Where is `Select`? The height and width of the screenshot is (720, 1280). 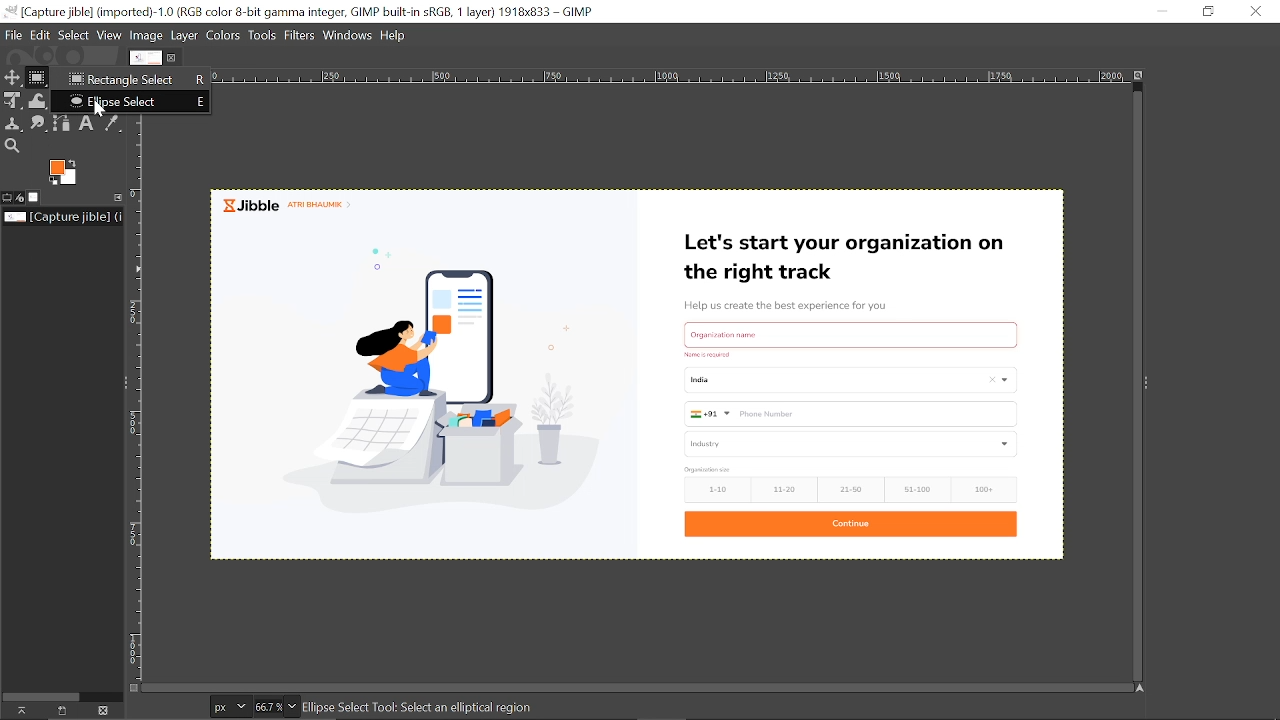 Select is located at coordinates (74, 34).